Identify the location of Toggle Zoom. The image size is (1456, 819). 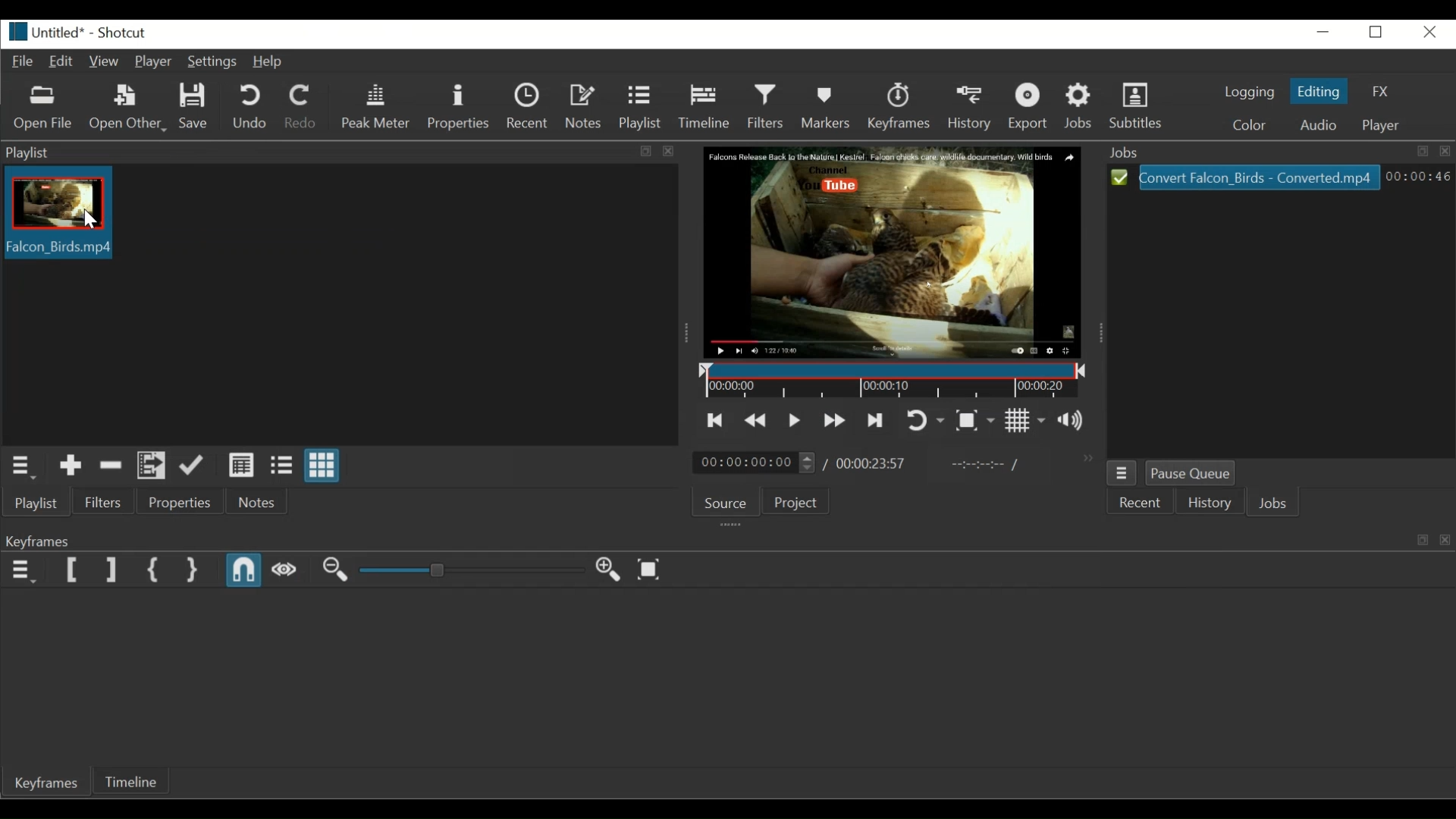
(975, 420).